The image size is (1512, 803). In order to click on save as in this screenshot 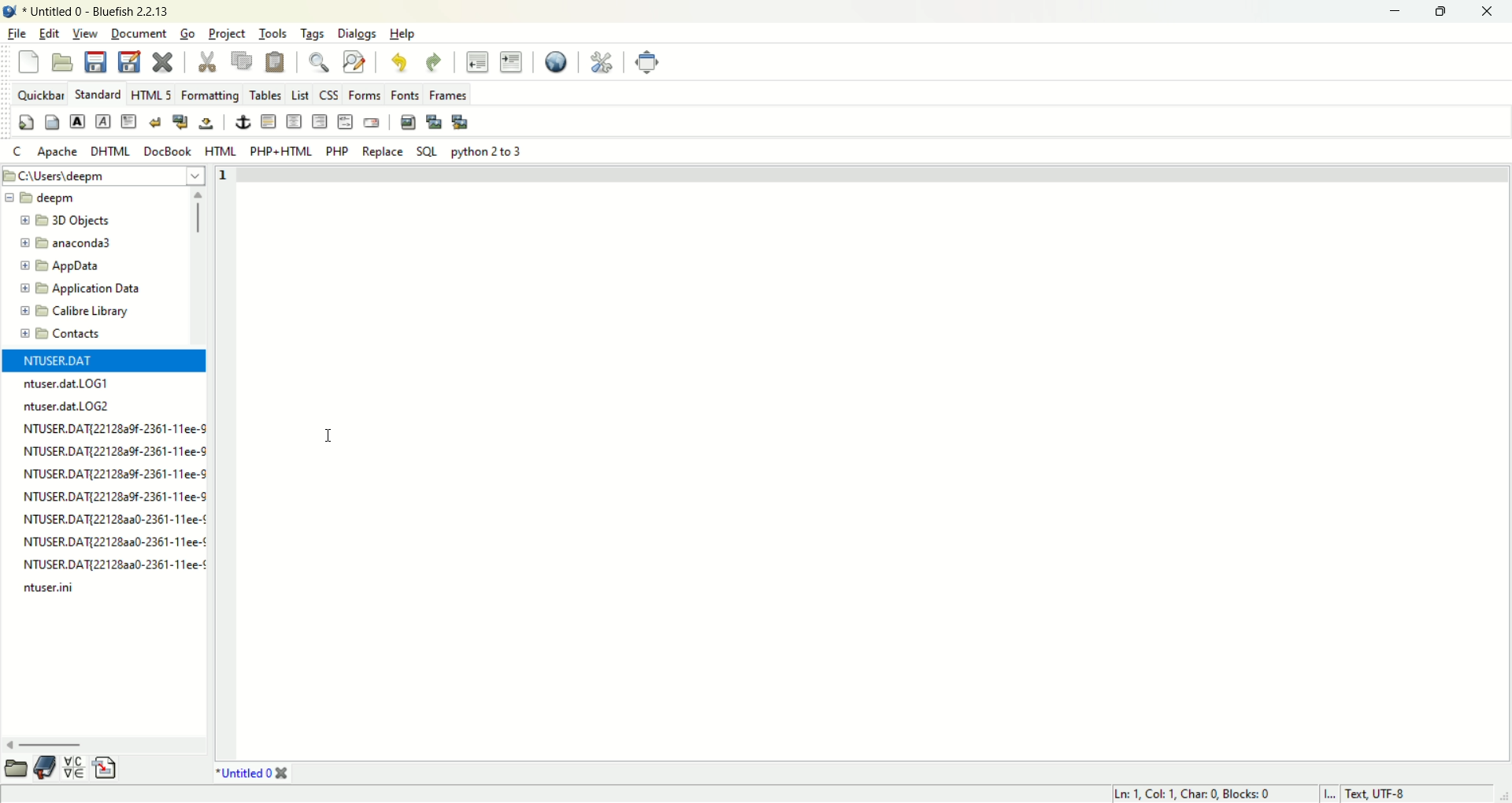, I will do `click(129, 60)`.